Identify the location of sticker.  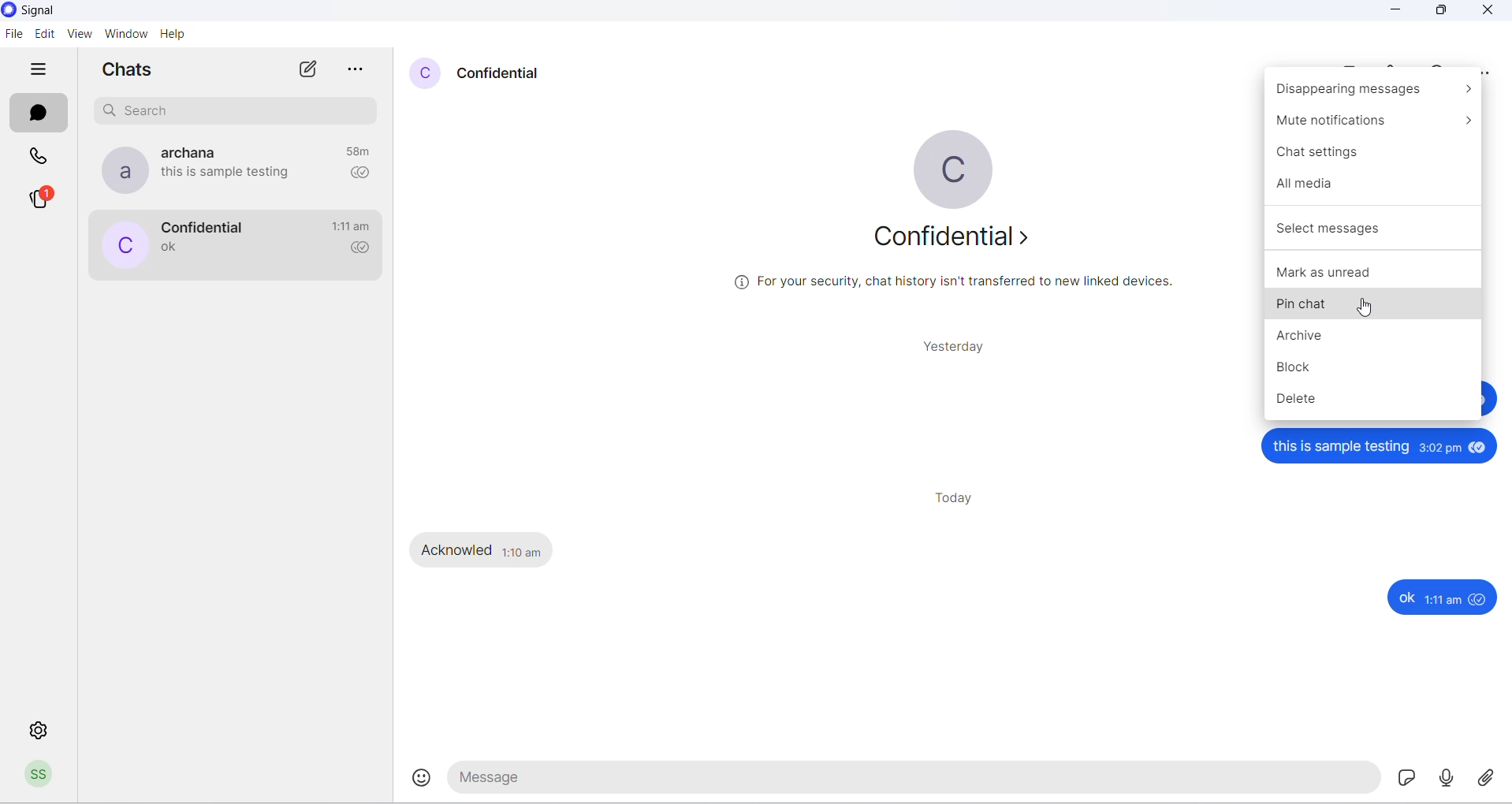
(1404, 780).